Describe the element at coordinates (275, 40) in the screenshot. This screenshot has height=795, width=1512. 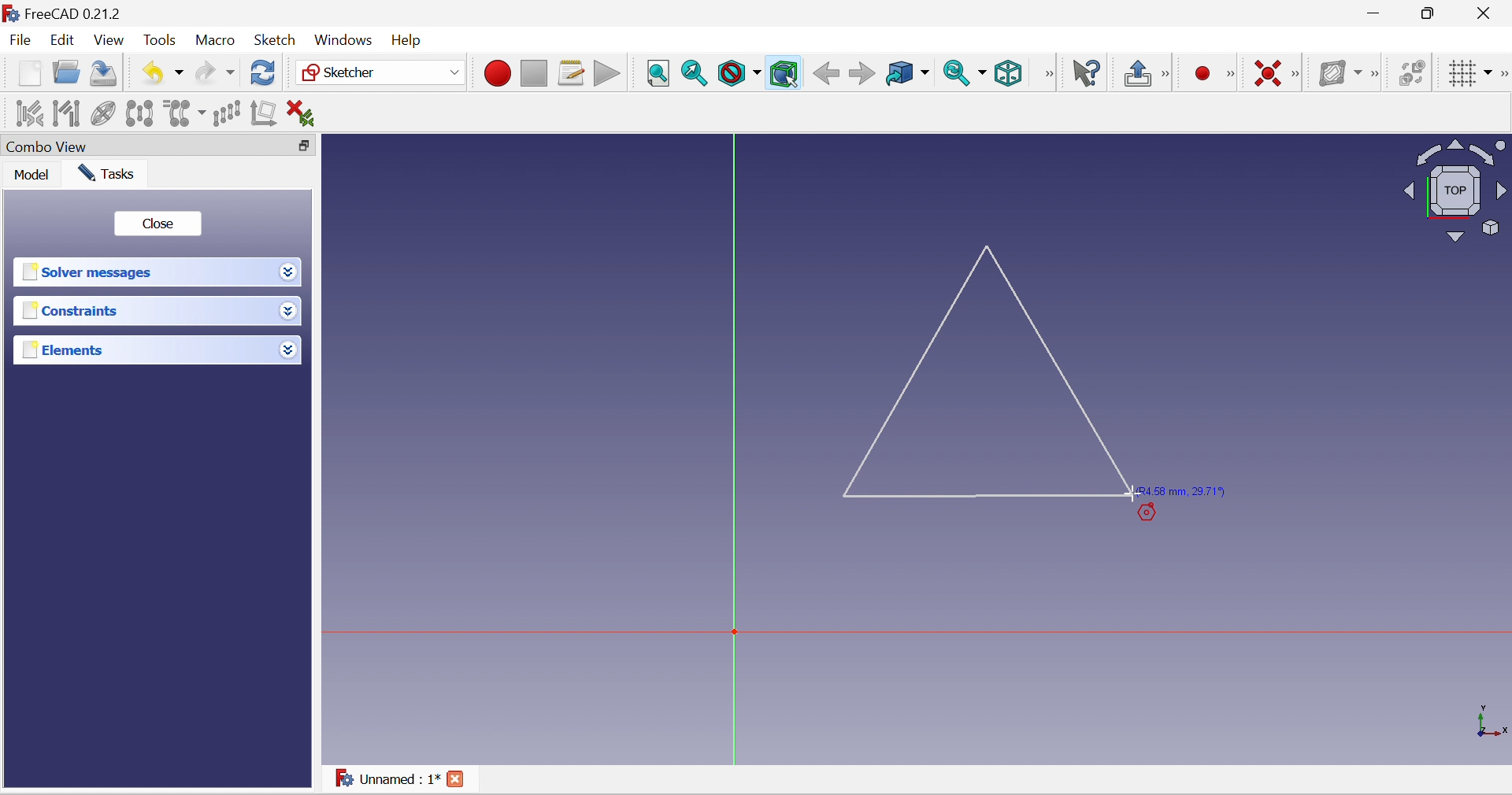
I see `Sketch` at that location.